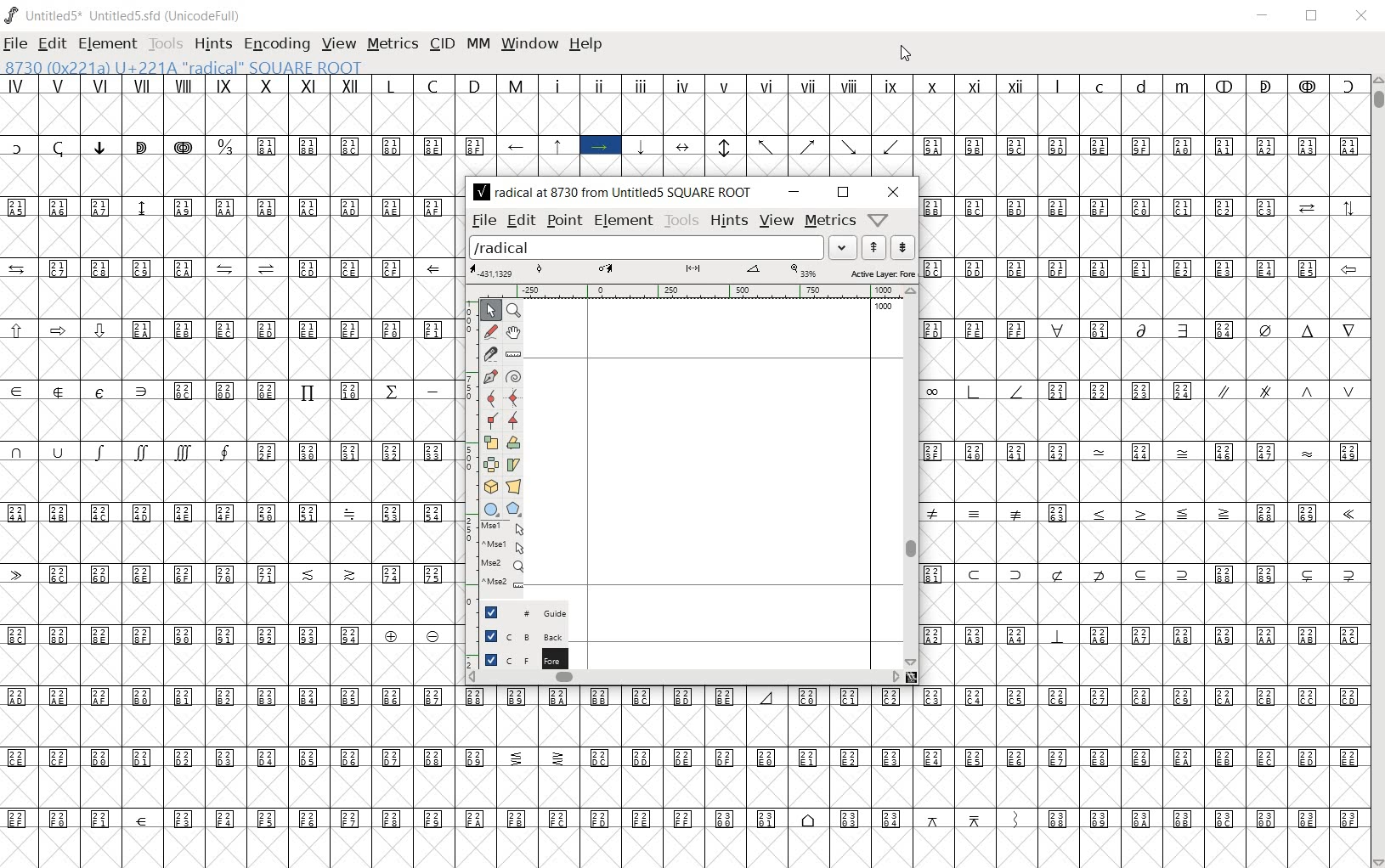 The image size is (1385, 868). Describe the element at coordinates (517, 509) in the screenshot. I see `polygon or star` at that location.